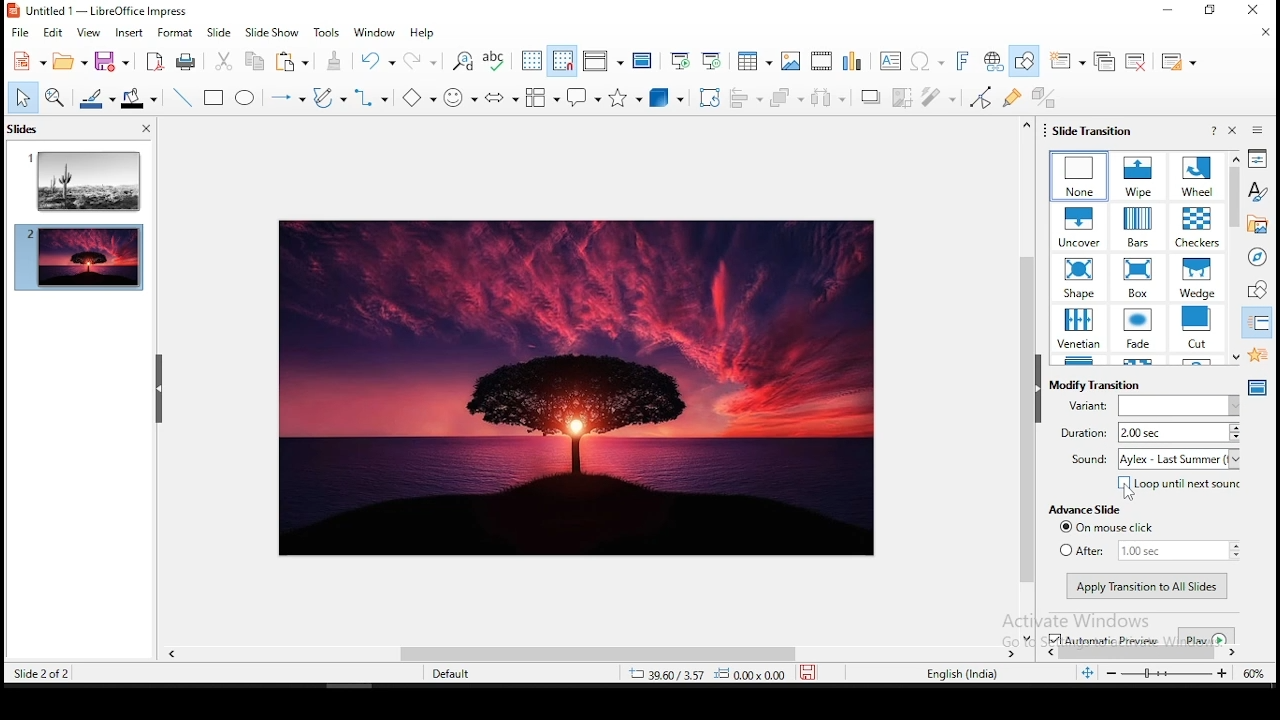 This screenshot has height=720, width=1280. Describe the element at coordinates (81, 182) in the screenshot. I see `slide 1` at that location.